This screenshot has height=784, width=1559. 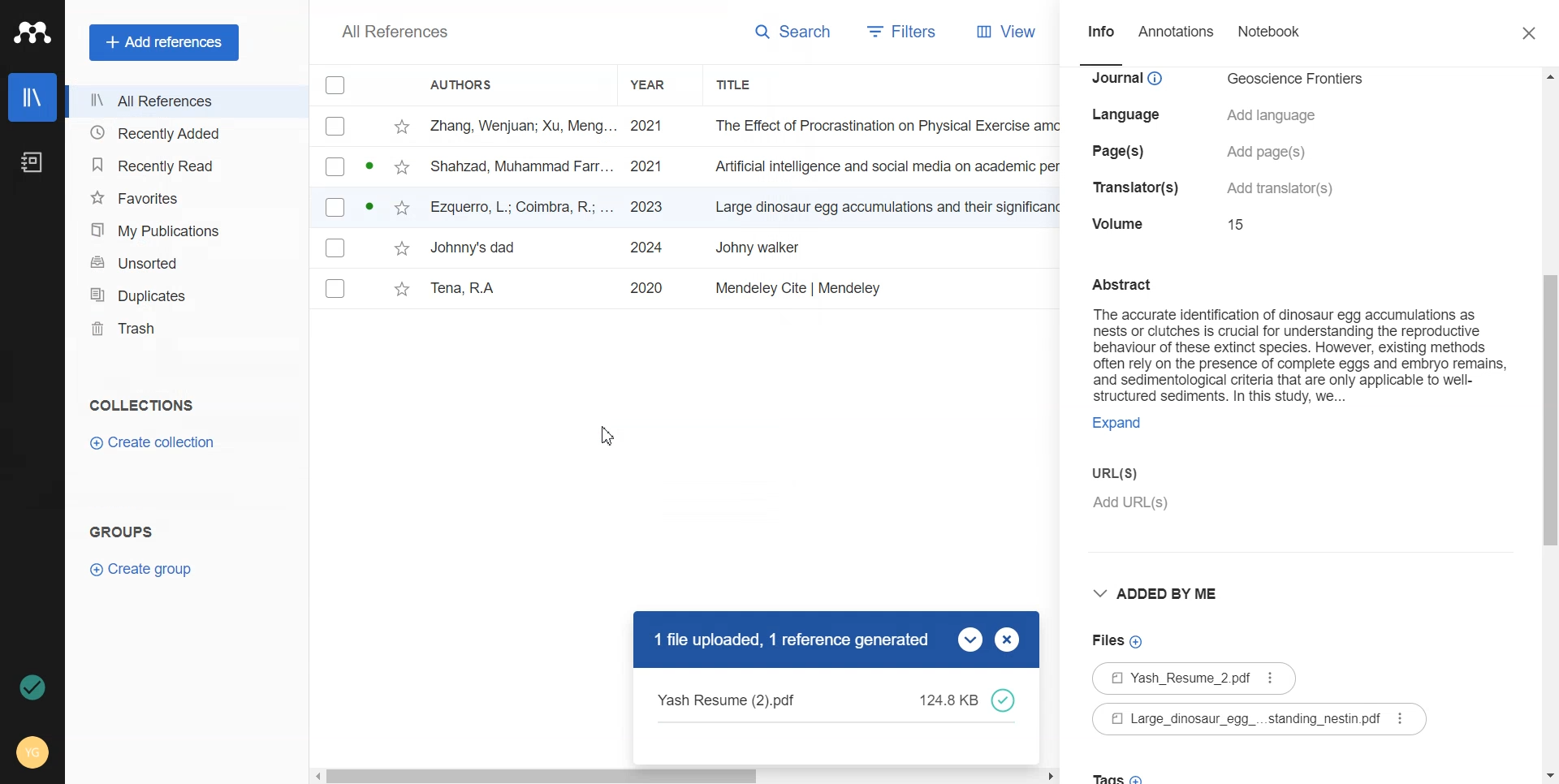 I want to click on Filters, so click(x=902, y=32).